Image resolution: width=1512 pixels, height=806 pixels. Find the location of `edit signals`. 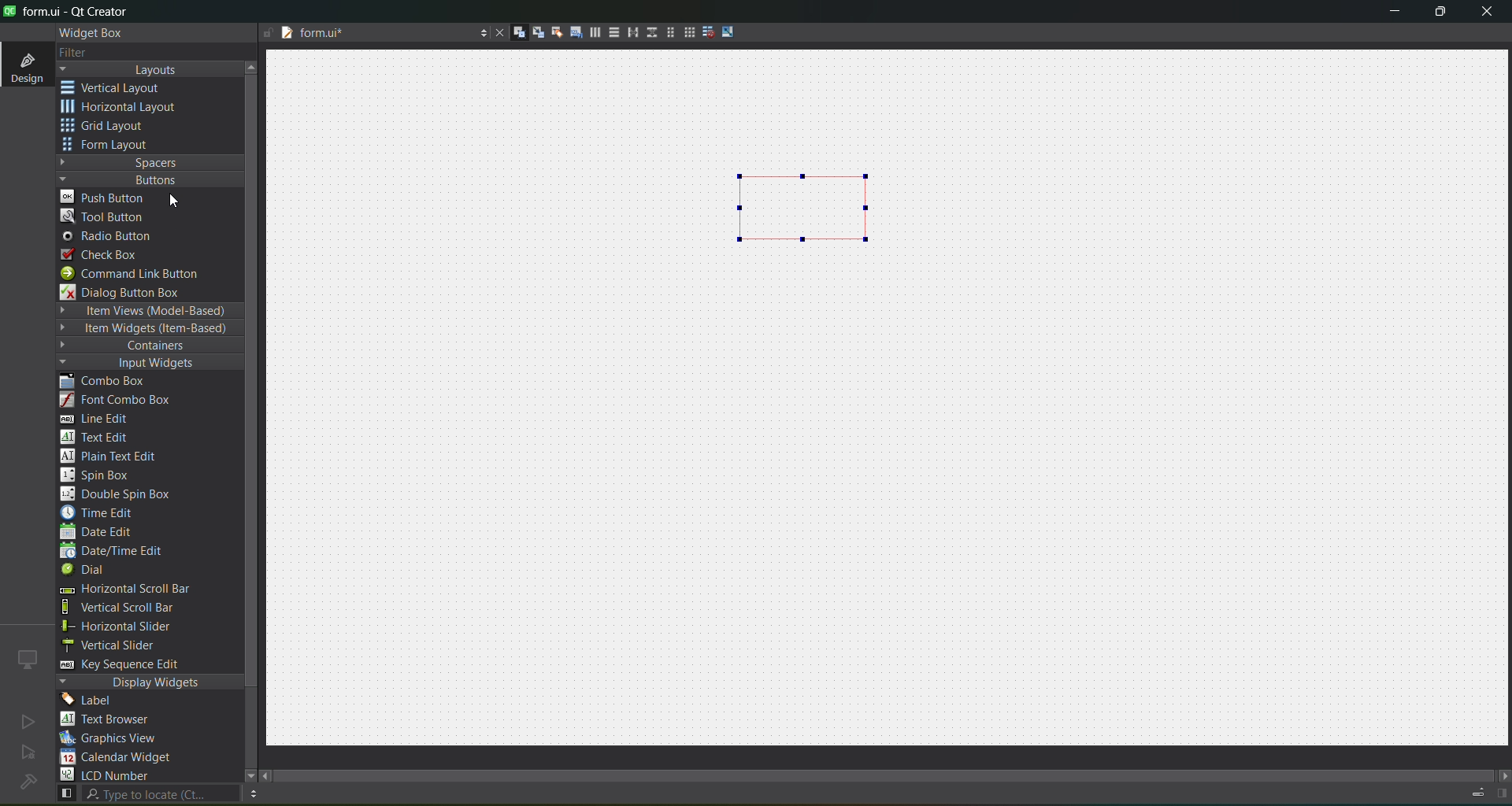

edit signals is located at coordinates (532, 31).